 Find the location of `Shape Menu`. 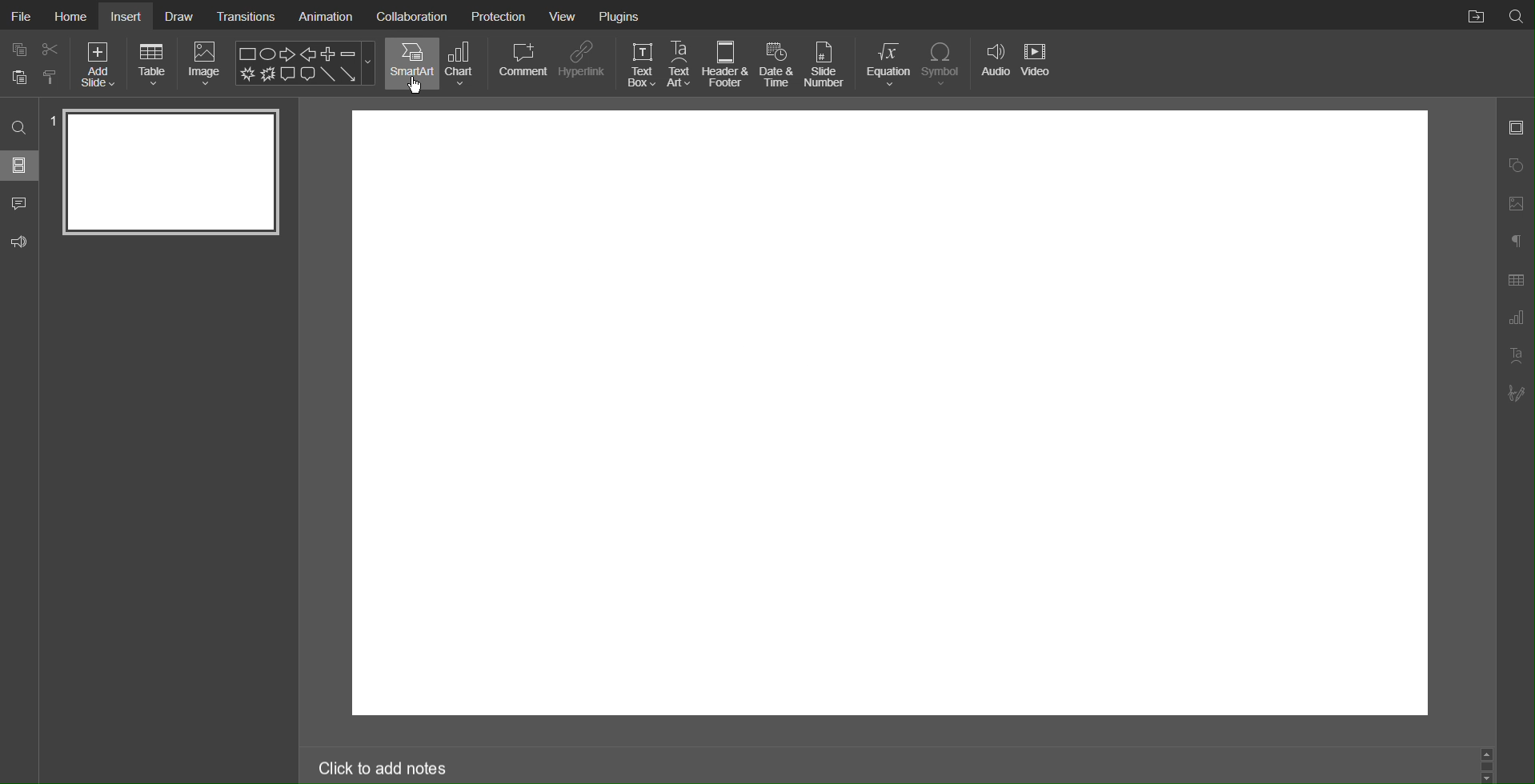

Shape Menu is located at coordinates (306, 62).